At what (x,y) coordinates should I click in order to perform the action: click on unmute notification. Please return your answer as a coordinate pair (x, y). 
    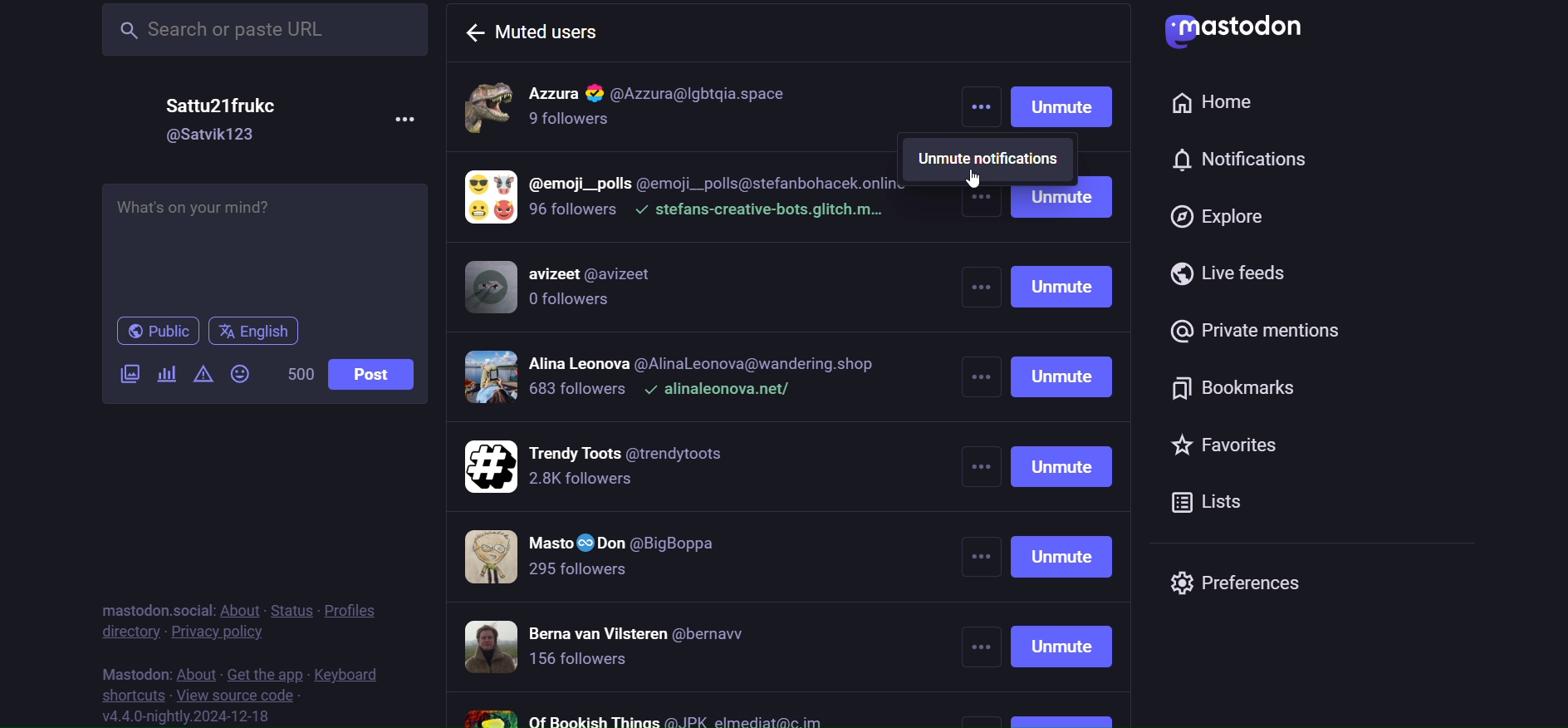
    Looking at the image, I should click on (991, 159).